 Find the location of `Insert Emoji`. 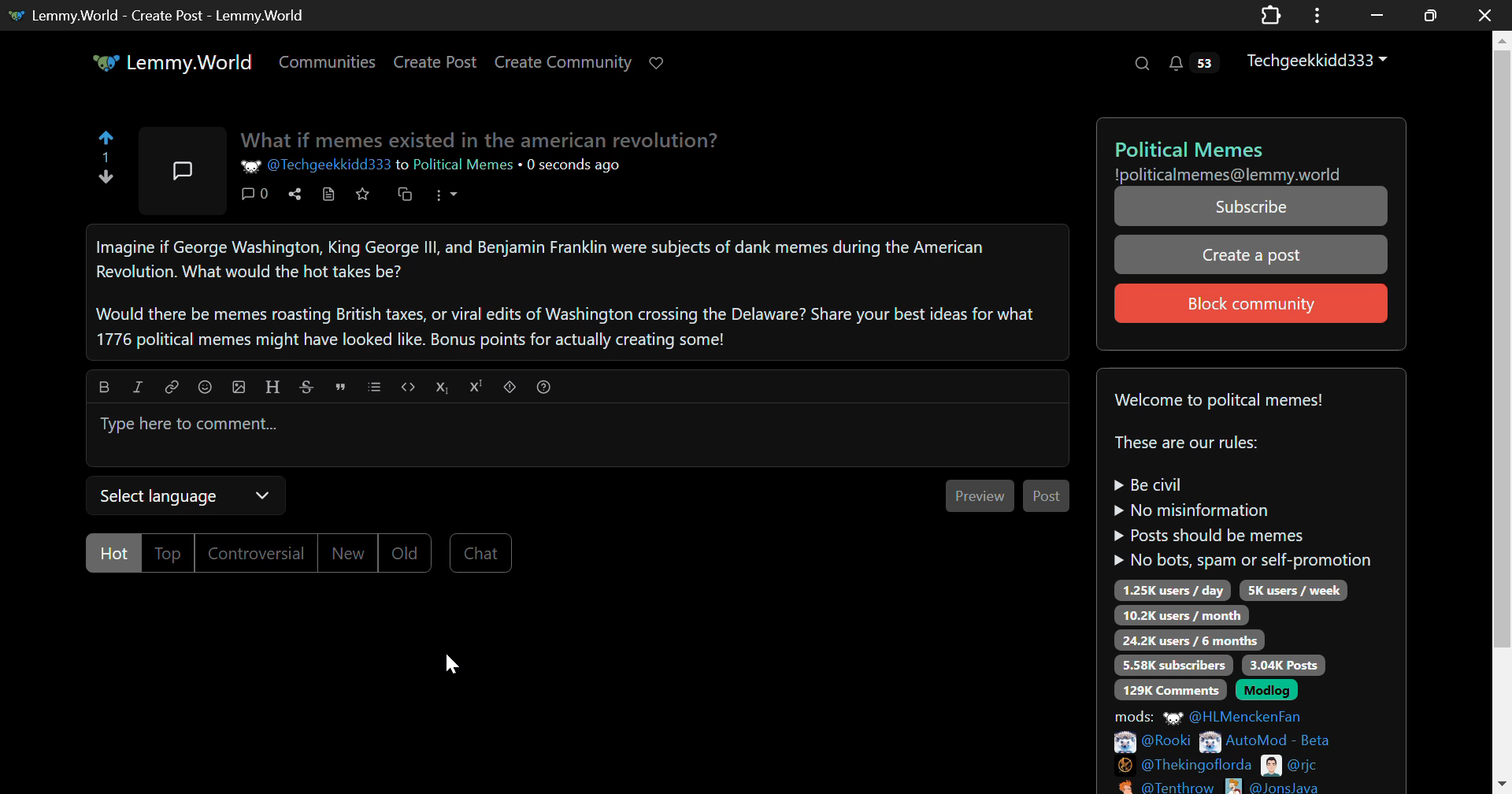

Insert Emoji is located at coordinates (208, 386).